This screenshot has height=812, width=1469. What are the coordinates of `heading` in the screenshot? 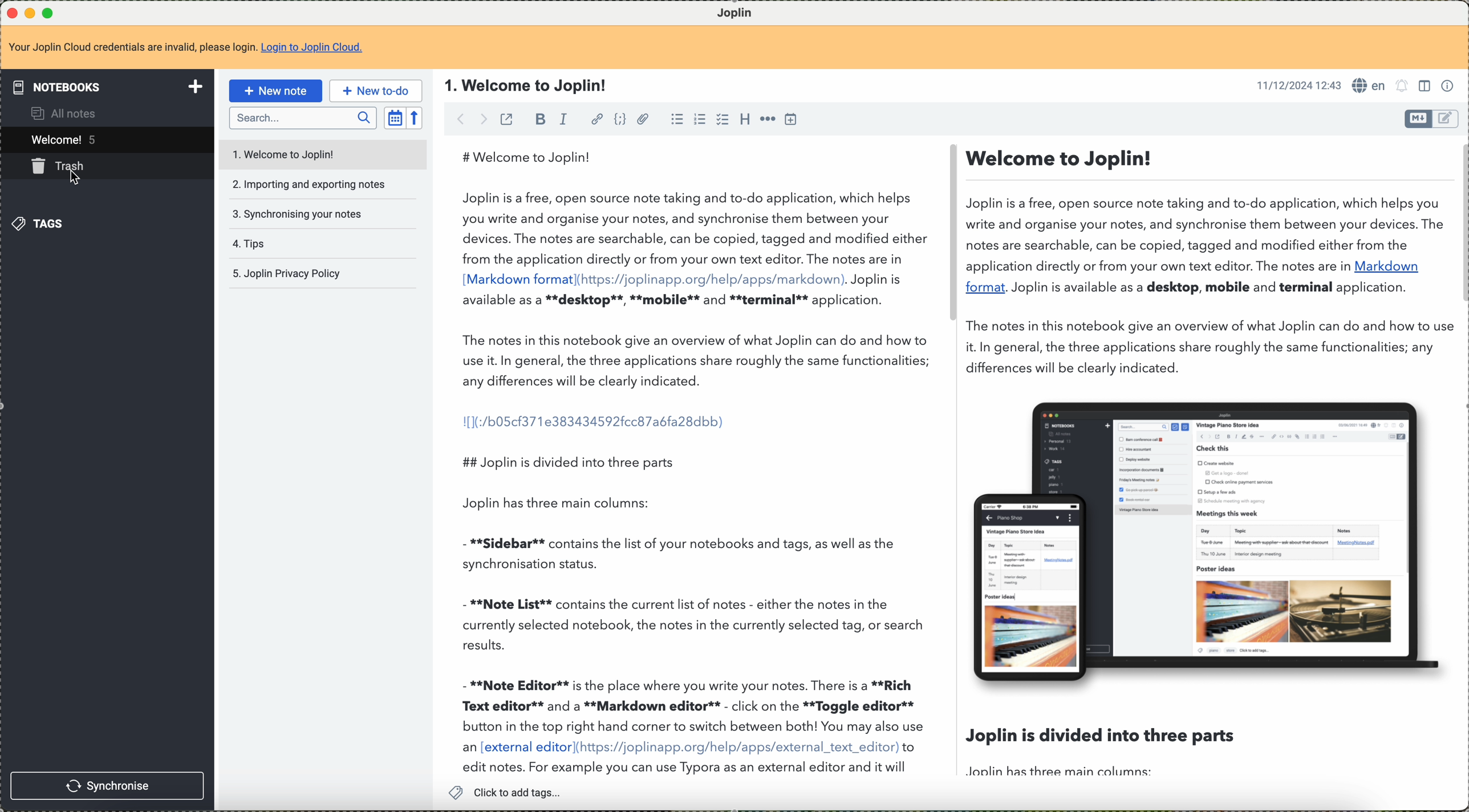 It's located at (745, 120).